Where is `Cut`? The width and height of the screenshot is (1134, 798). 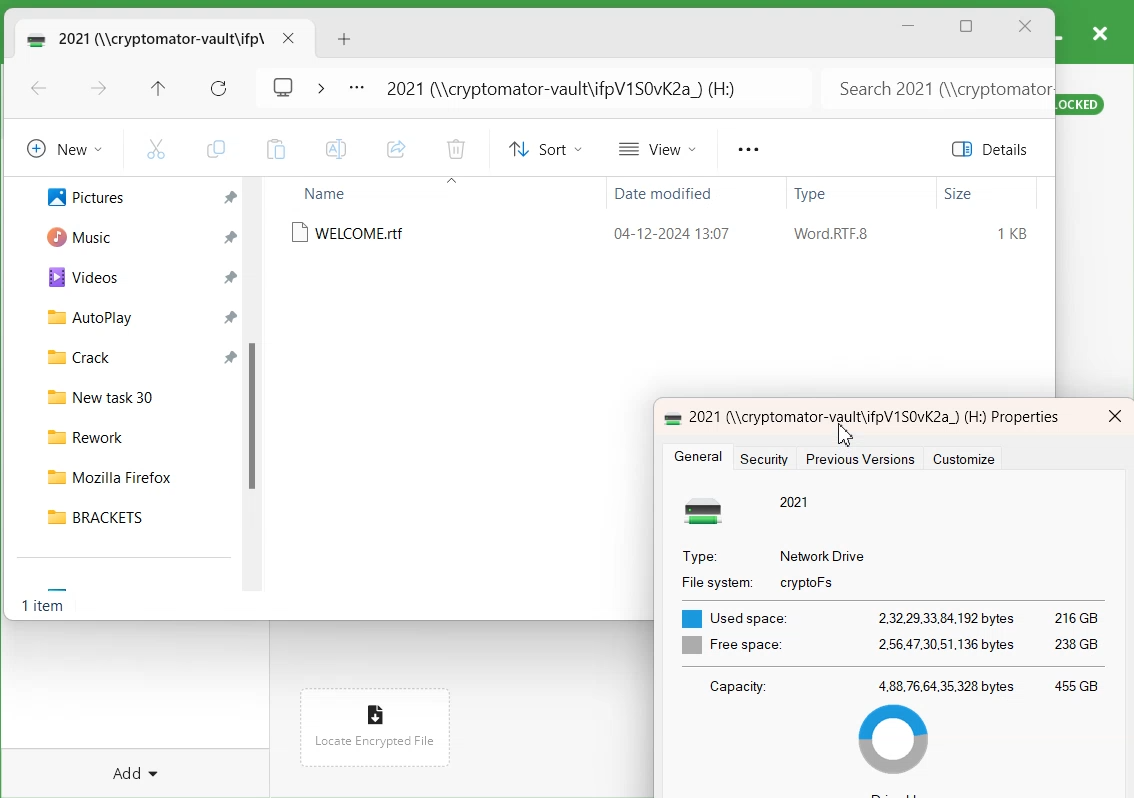
Cut is located at coordinates (156, 148).